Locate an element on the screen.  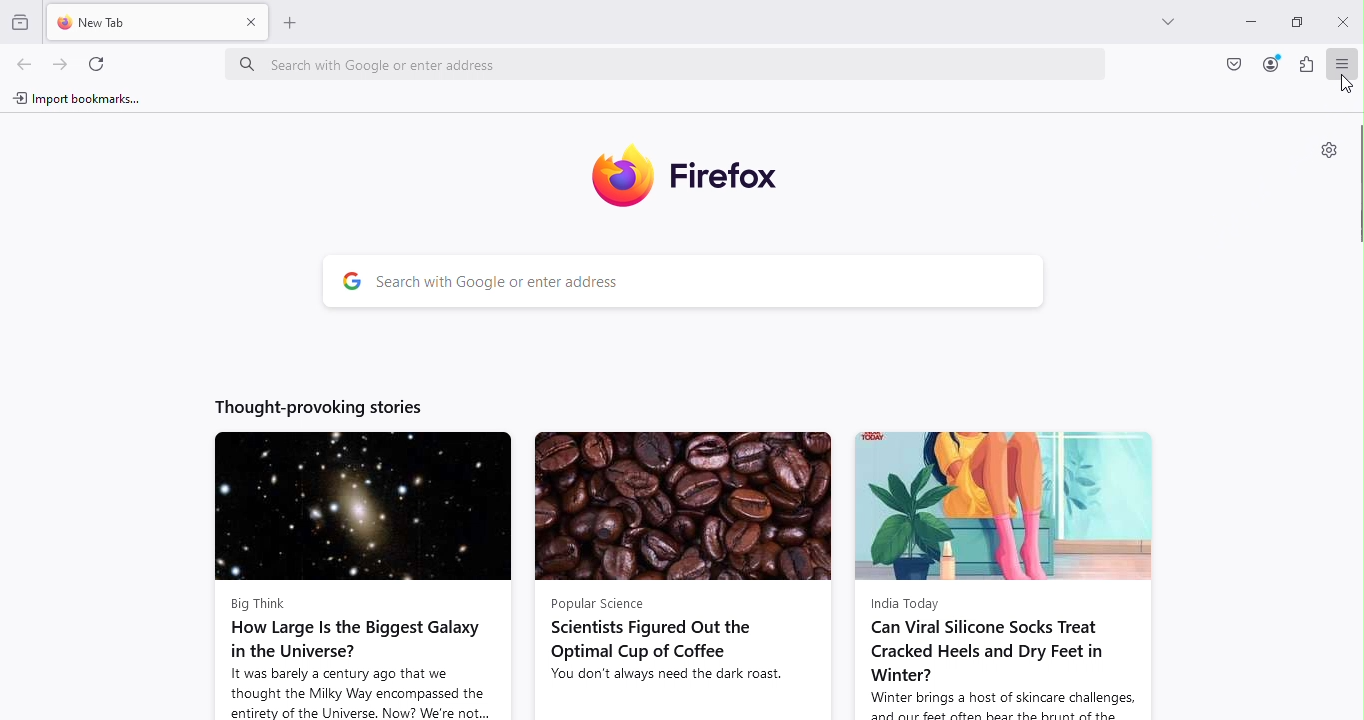
Personalize new tab is located at coordinates (1328, 148).